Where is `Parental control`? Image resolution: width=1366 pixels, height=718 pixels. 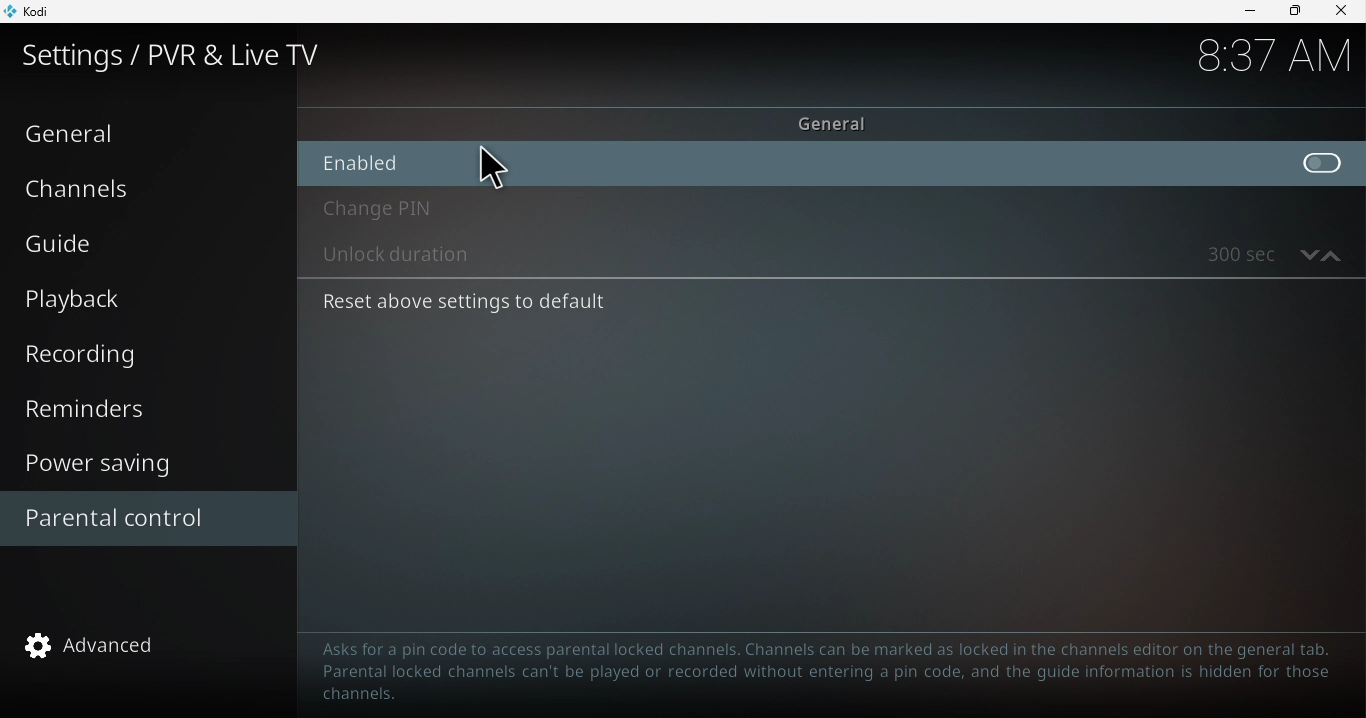
Parental control is located at coordinates (142, 517).